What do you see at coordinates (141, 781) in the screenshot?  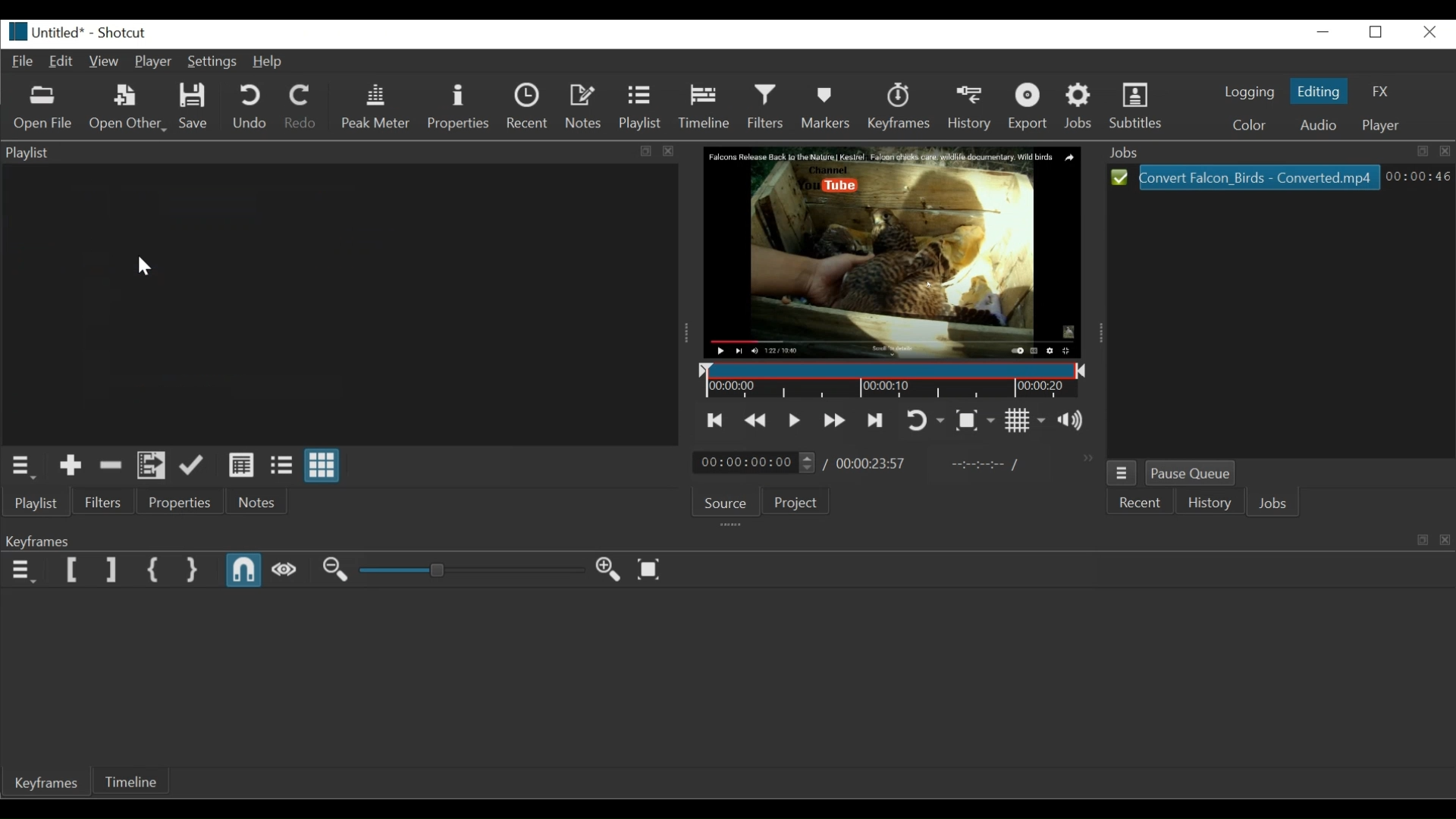 I see `Timeline` at bounding box center [141, 781].